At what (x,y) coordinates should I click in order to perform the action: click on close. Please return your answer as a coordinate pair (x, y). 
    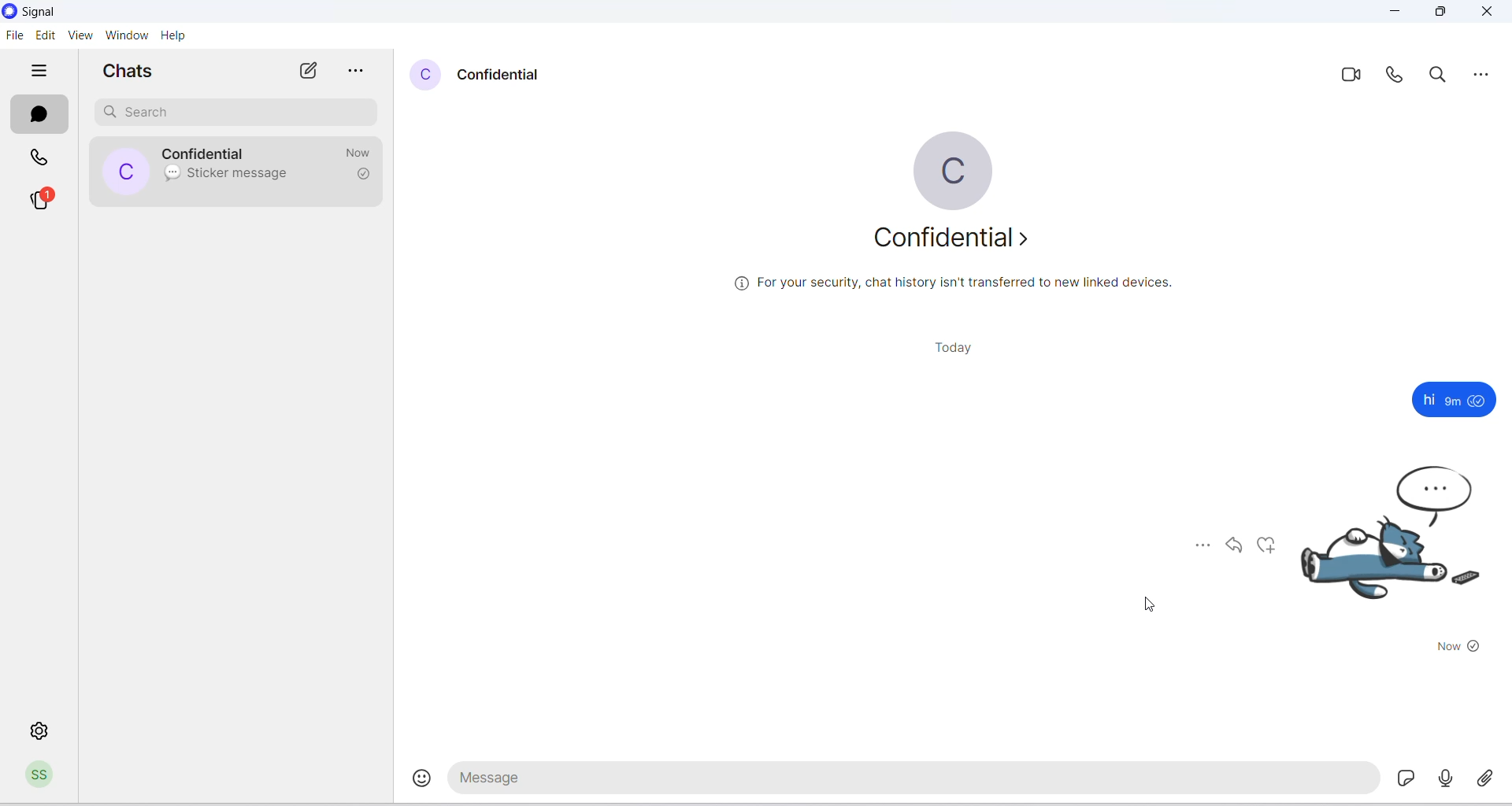
    Looking at the image, I should click on (1489, 13).